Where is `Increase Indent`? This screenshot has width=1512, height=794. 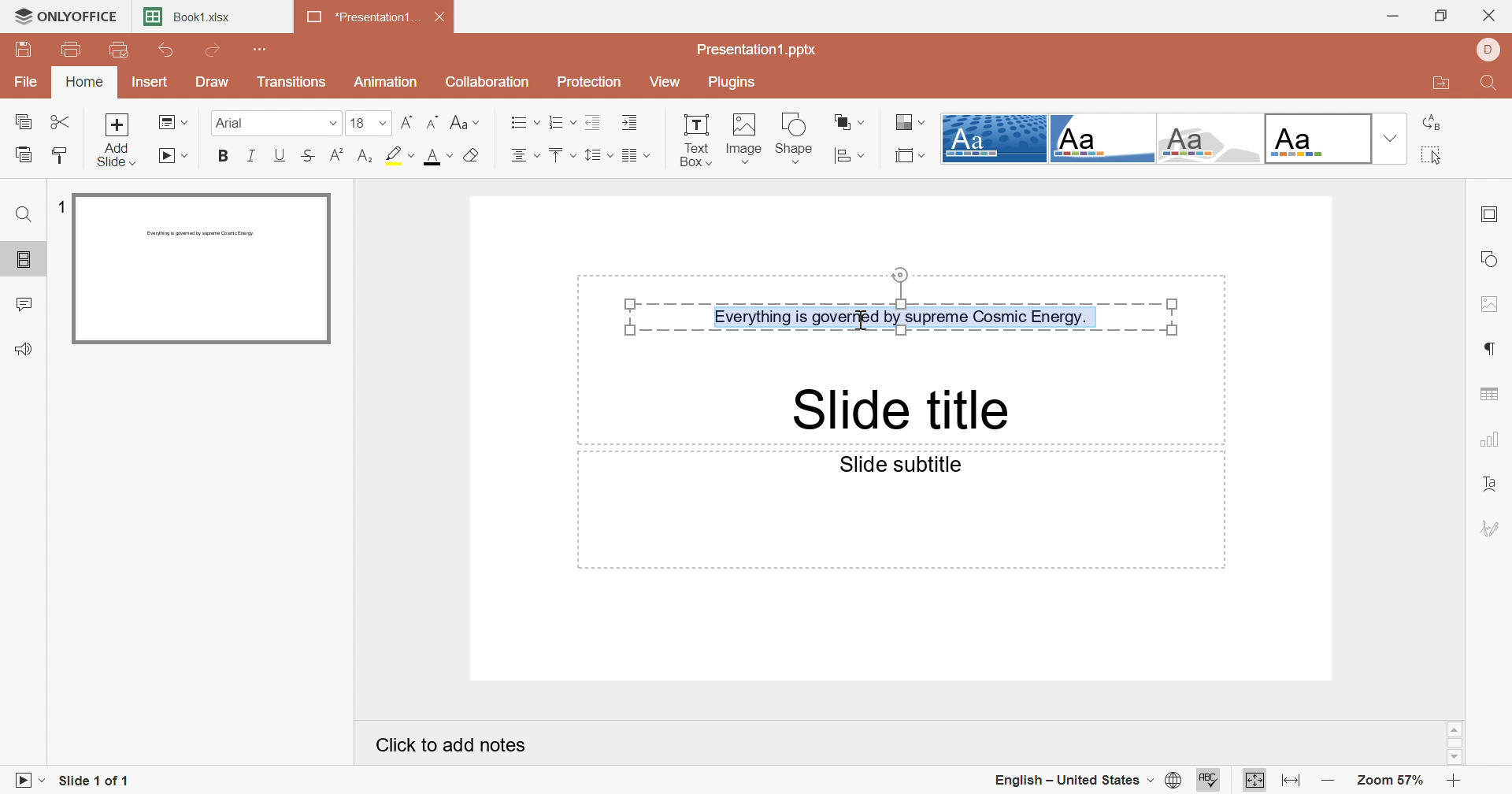 Increase Indent is located at coordinates (629, 123).